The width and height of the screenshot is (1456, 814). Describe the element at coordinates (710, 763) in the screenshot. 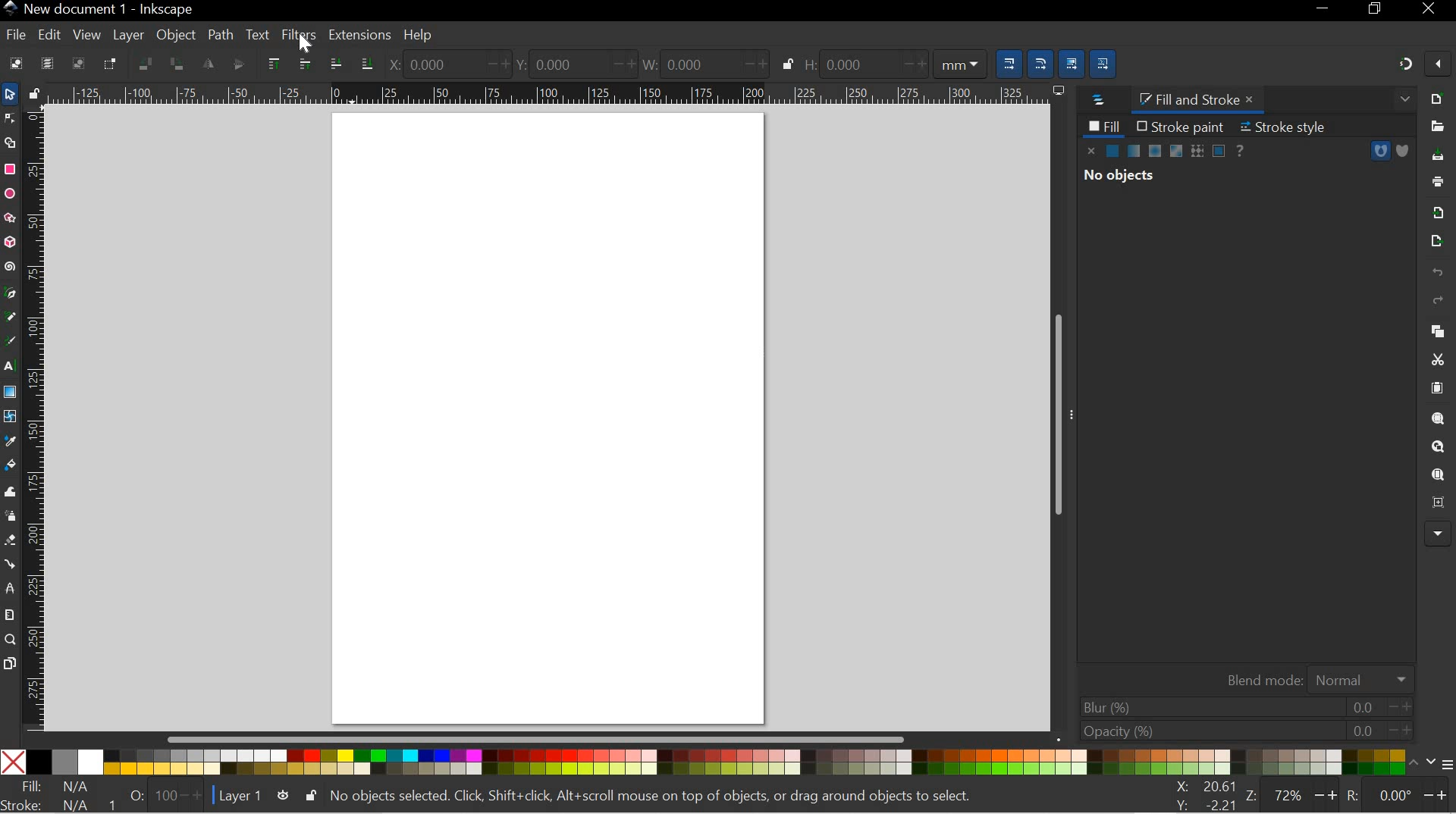

I see `COLOR` at that location.